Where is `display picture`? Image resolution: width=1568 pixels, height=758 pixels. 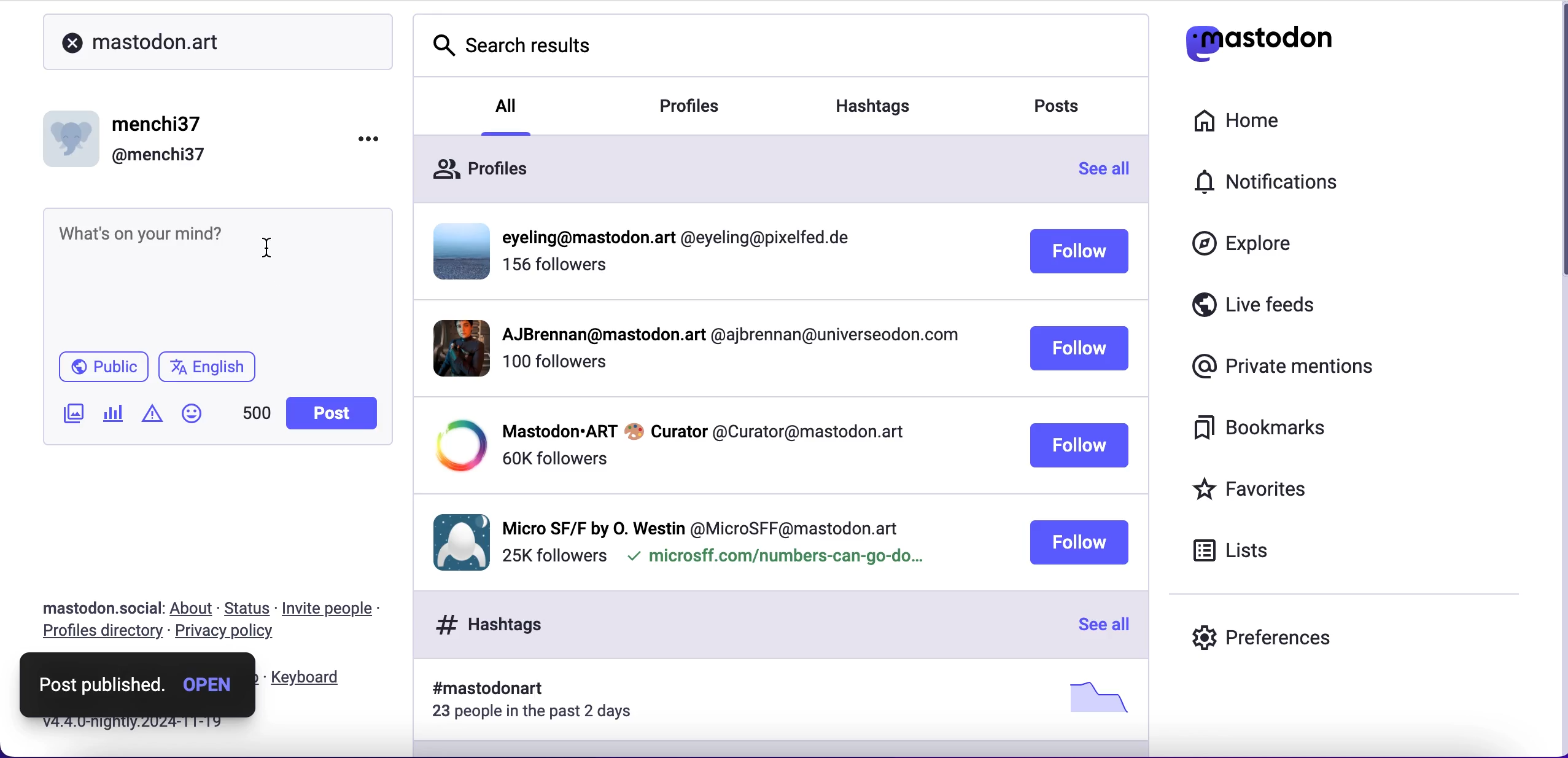 display picture is located at coordinates (451, 347).